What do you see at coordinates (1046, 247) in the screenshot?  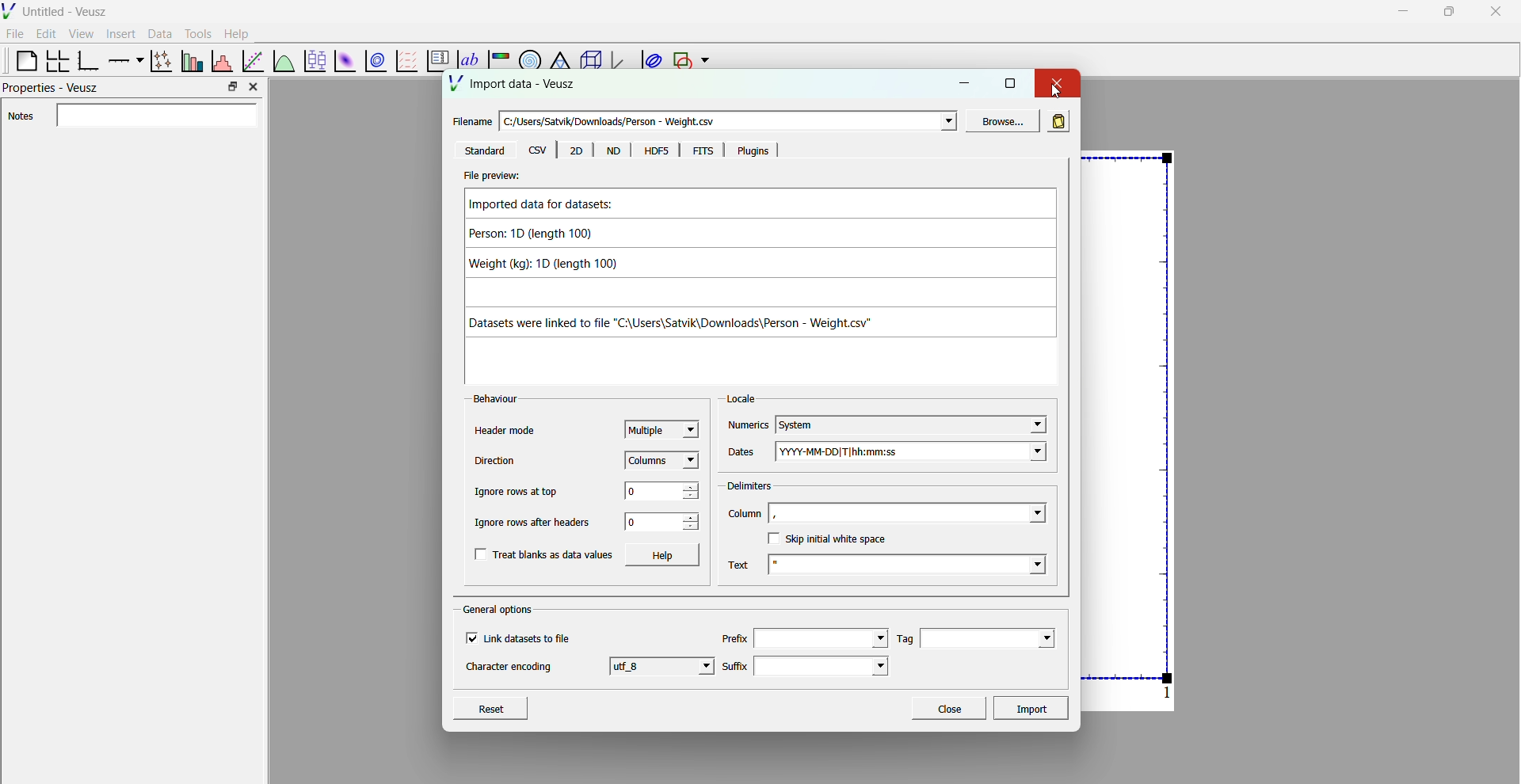 I see `Scroll bar` at bounding box center [1046, 247].